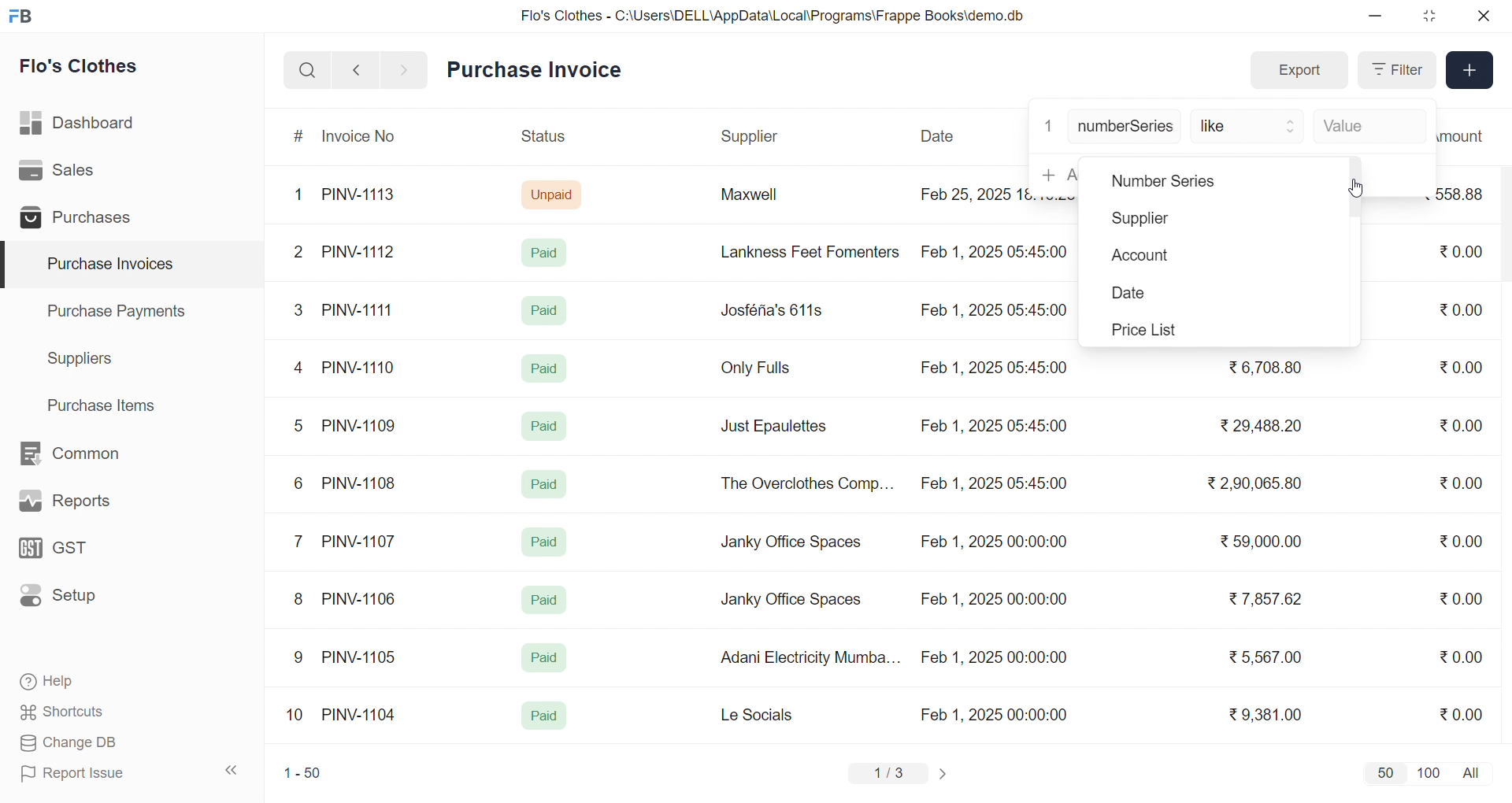  I want to click on ₹9,381.00, so click(1266, 715).